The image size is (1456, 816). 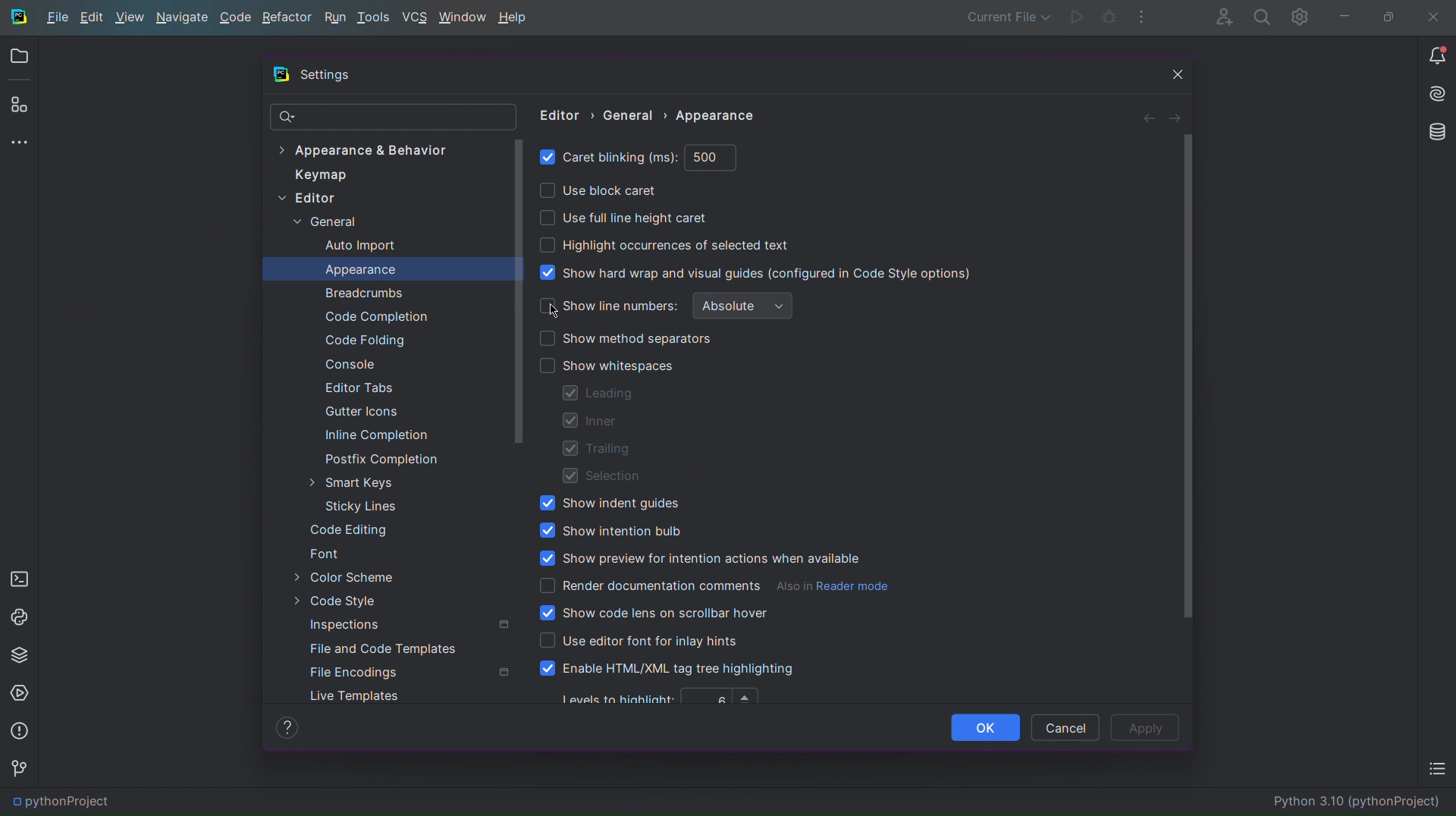 What do you see at coordinates (19, 576) in the screenshot?
I see `Terminal` at bounding box center [19, 576].